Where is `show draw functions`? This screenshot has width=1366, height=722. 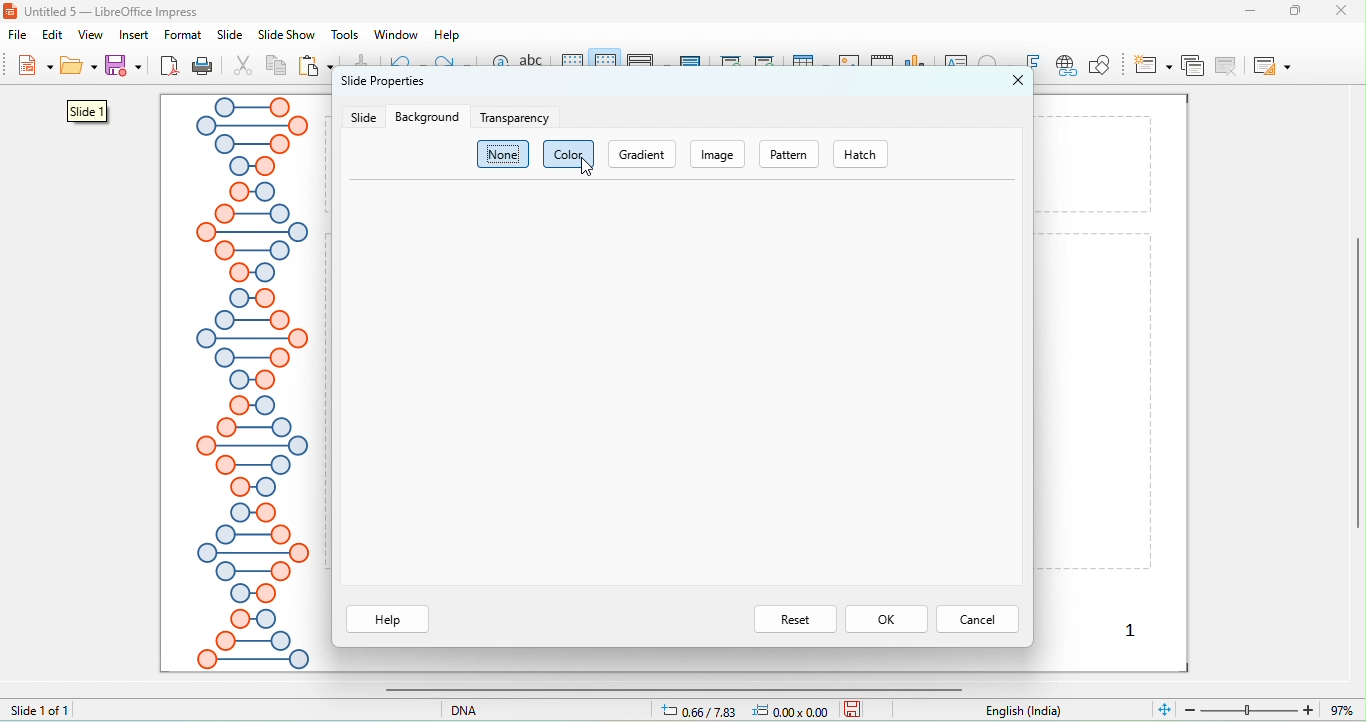
show draw functions is located at coordinates (1099, 65).